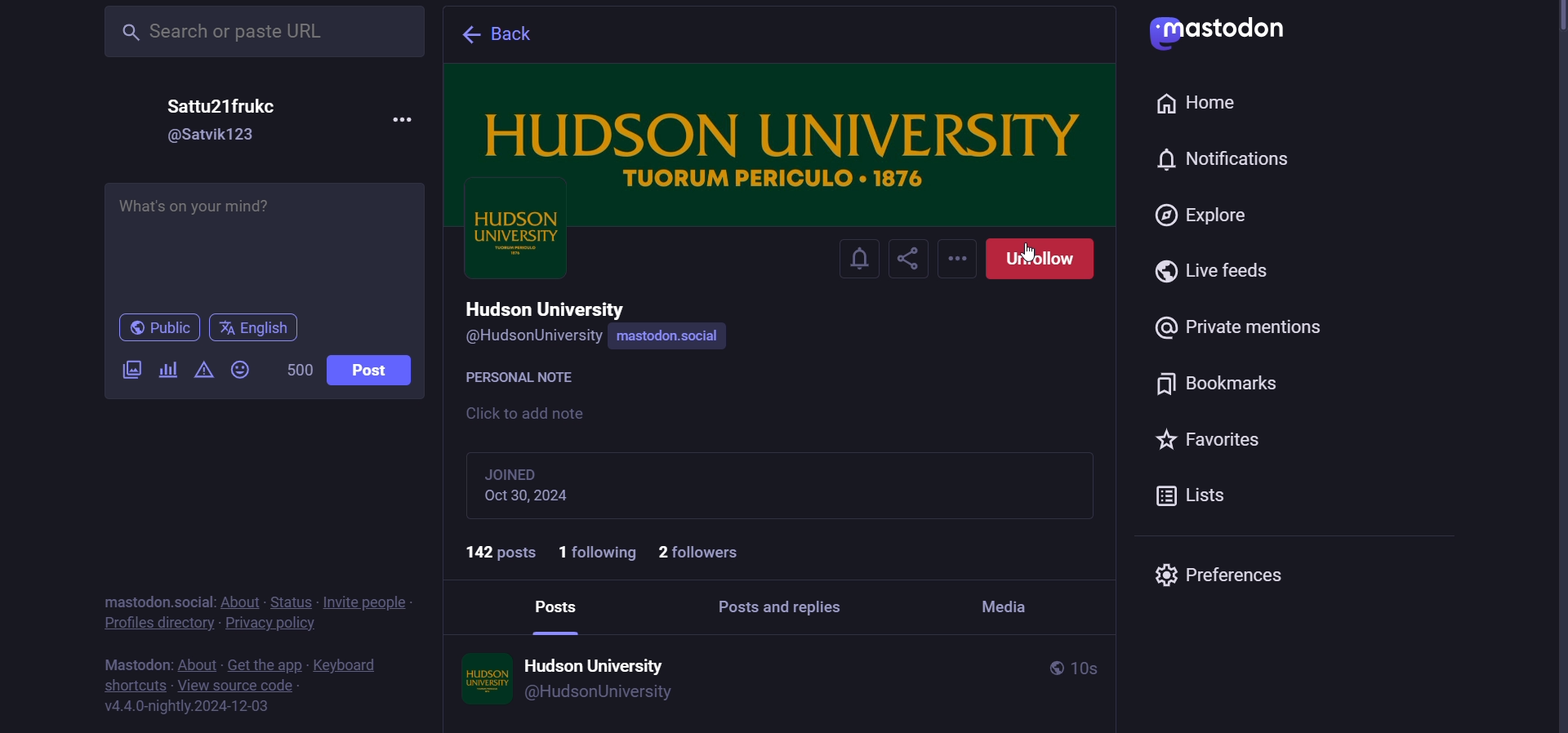 The image size is (1568, 733). What do you see at coordinates (1105, 669) in the screenshot?
I see `10s` at bounding box center [1105, 669].